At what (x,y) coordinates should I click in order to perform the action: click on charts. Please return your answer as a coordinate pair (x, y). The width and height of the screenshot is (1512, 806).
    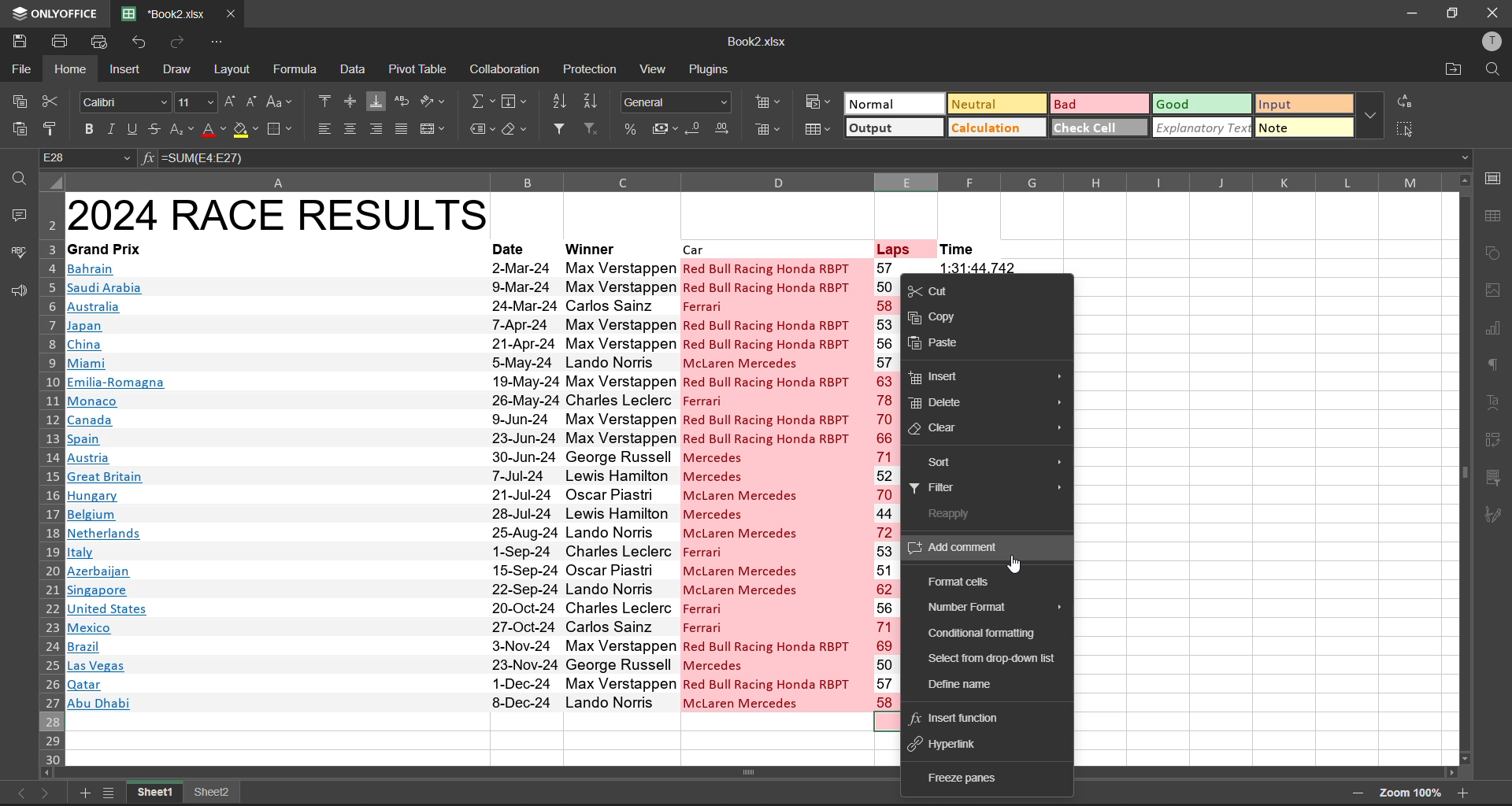
    Looking at the image, I should click on (1492, 326).